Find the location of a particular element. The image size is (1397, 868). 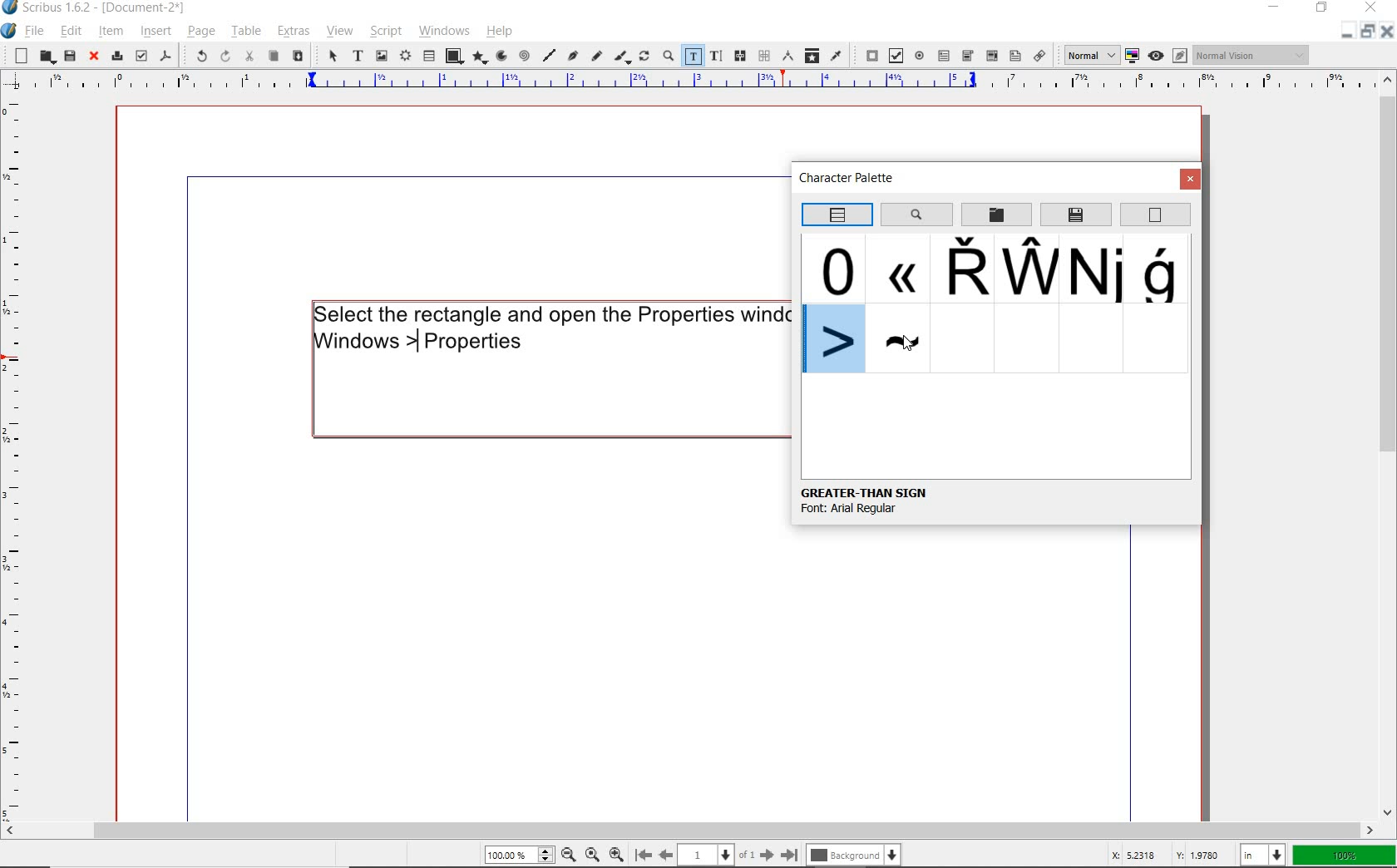

help is located at coordinates (500, 32).